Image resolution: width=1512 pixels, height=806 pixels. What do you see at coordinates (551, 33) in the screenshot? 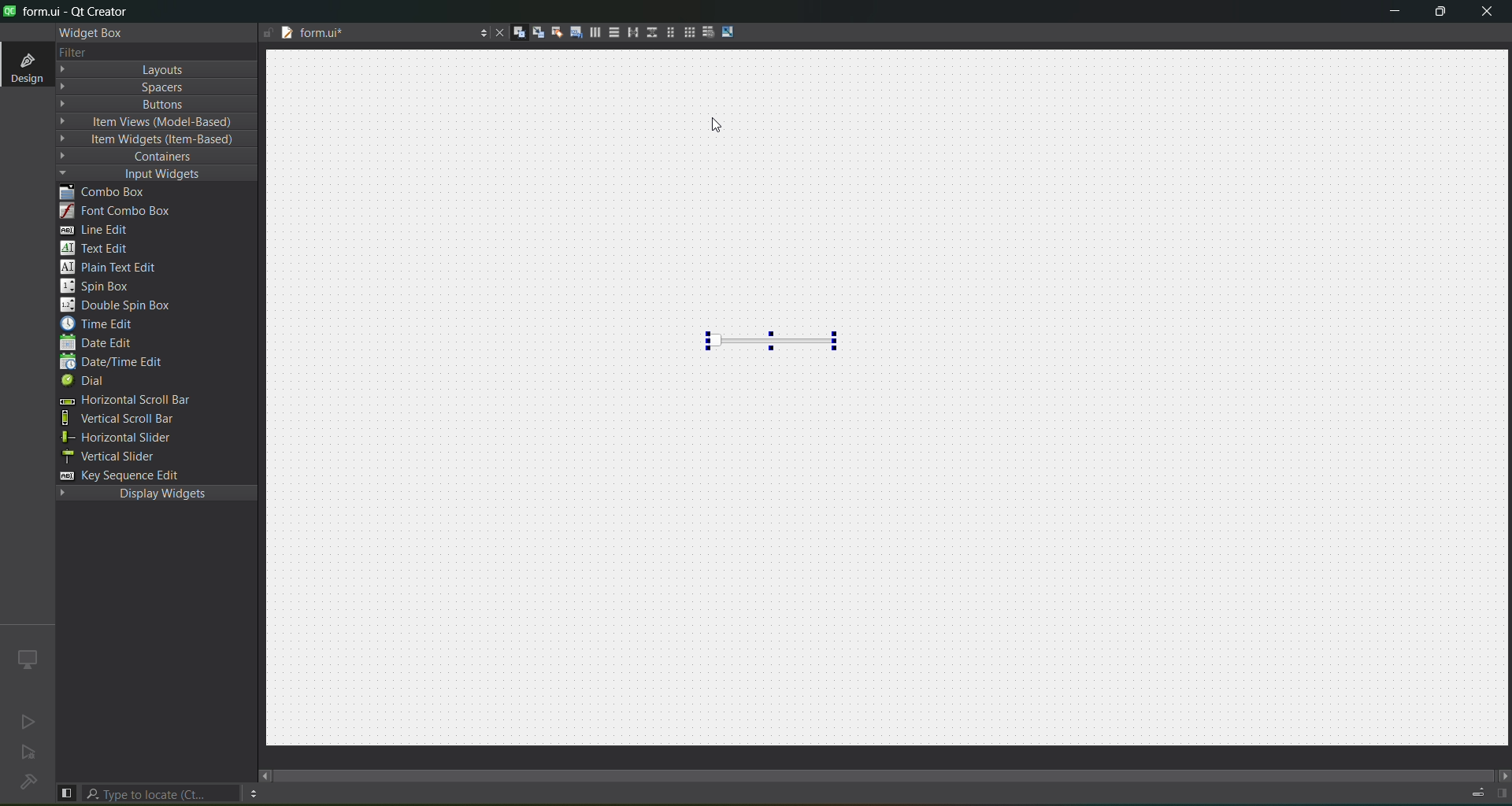
I see `buddies` at bounding box center [551, 33].